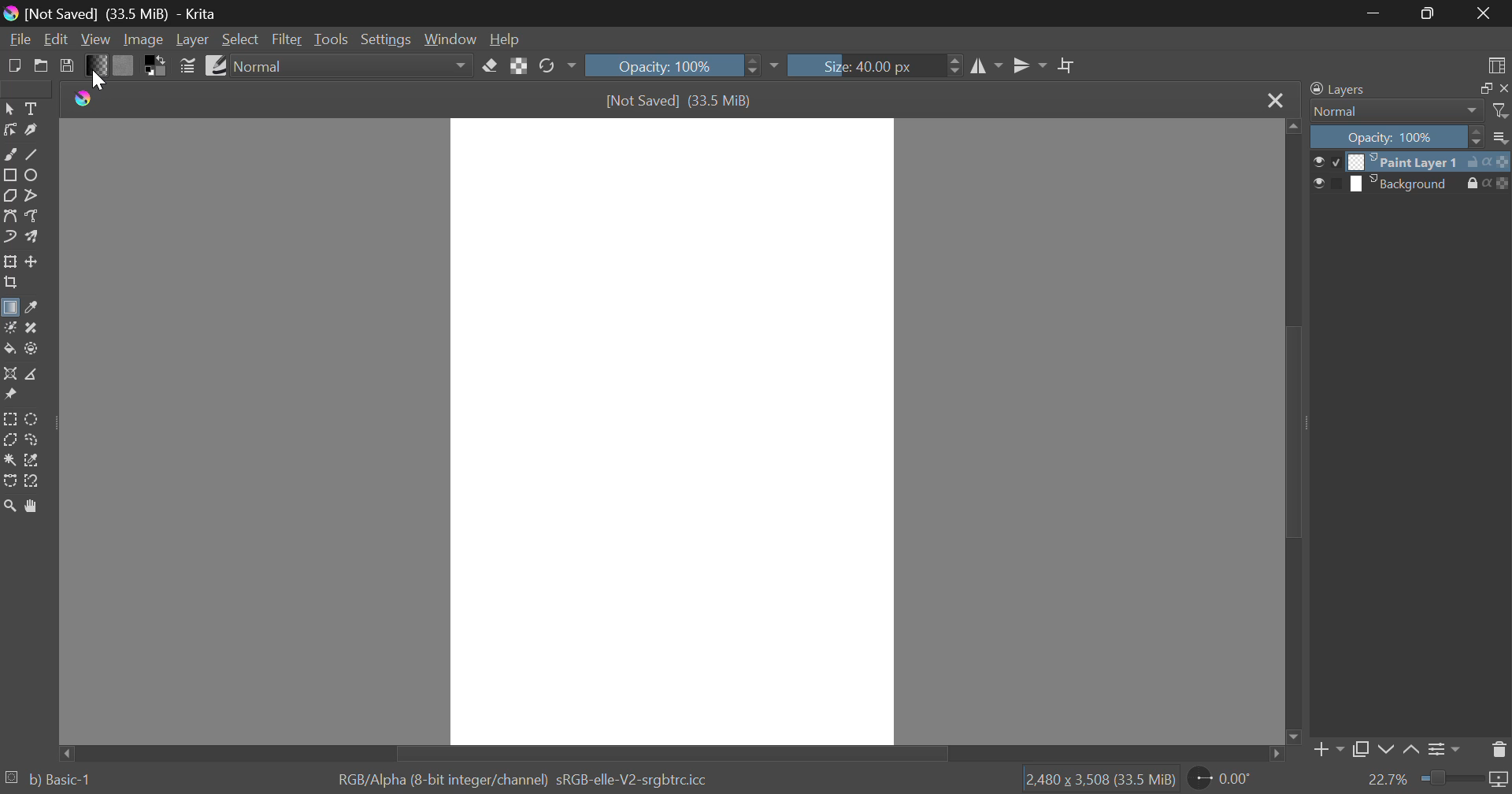  I want to click on Save, so click(68, 65).